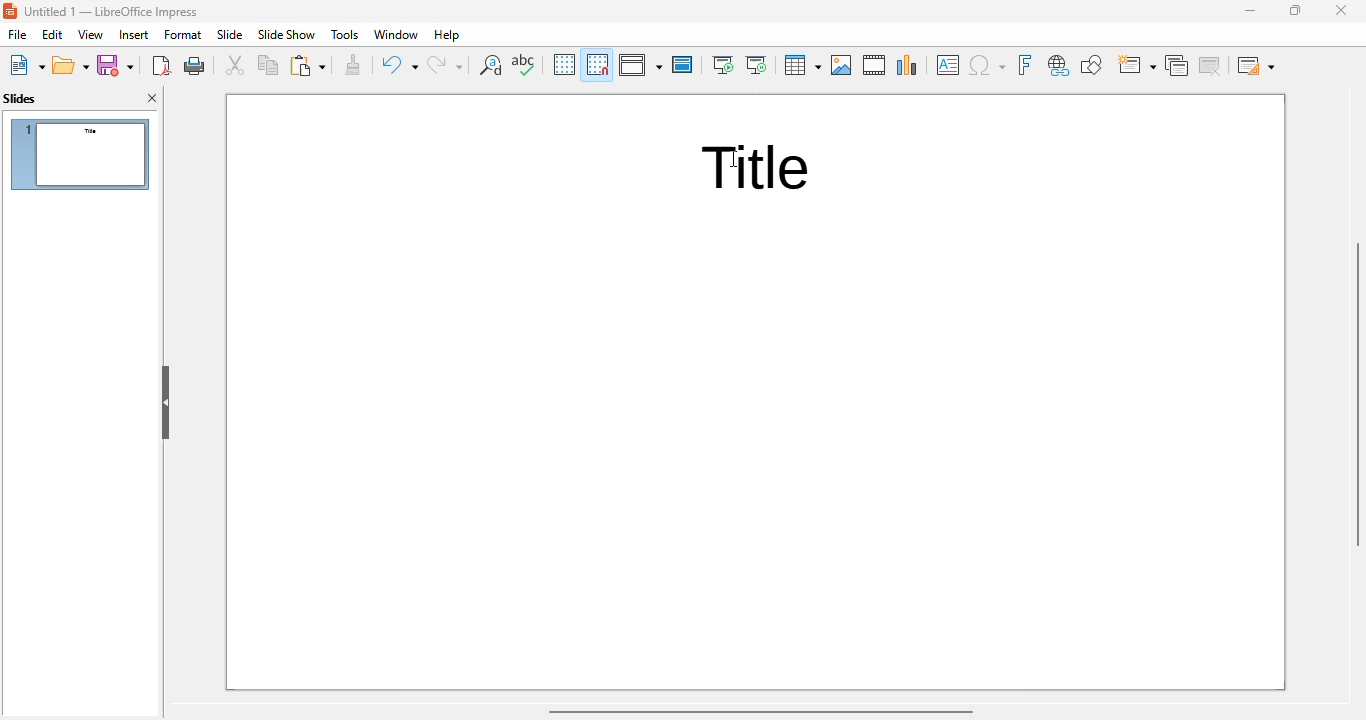 The image size is (1366, 720). Describe the element at coordinates (1341, 10) in the screenshot. I see `close` at that location.